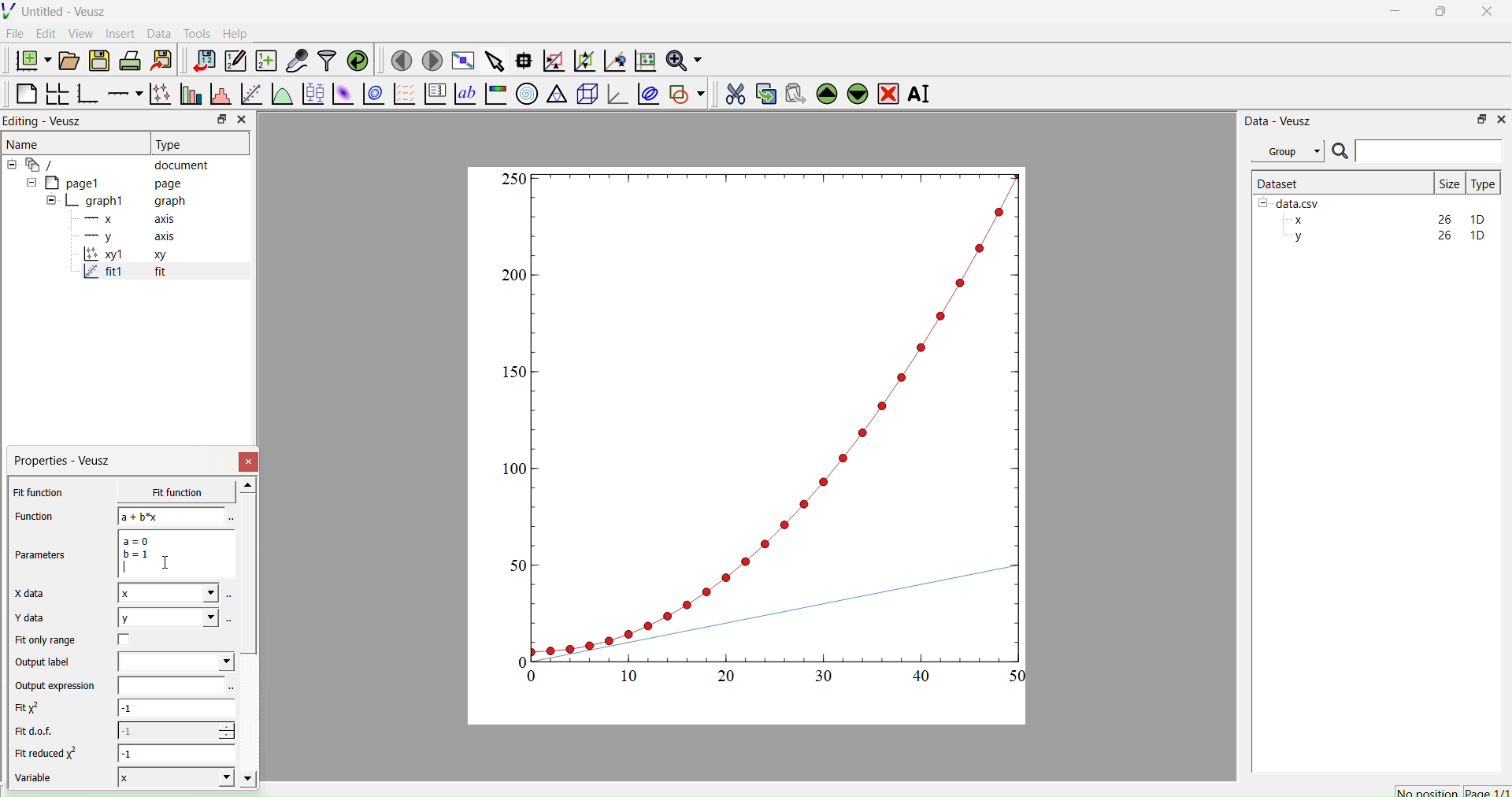  What do you see at coordinates (161, 61) in the screenshot?
I see `Export to graphics format` at bounding box center [161, 61].